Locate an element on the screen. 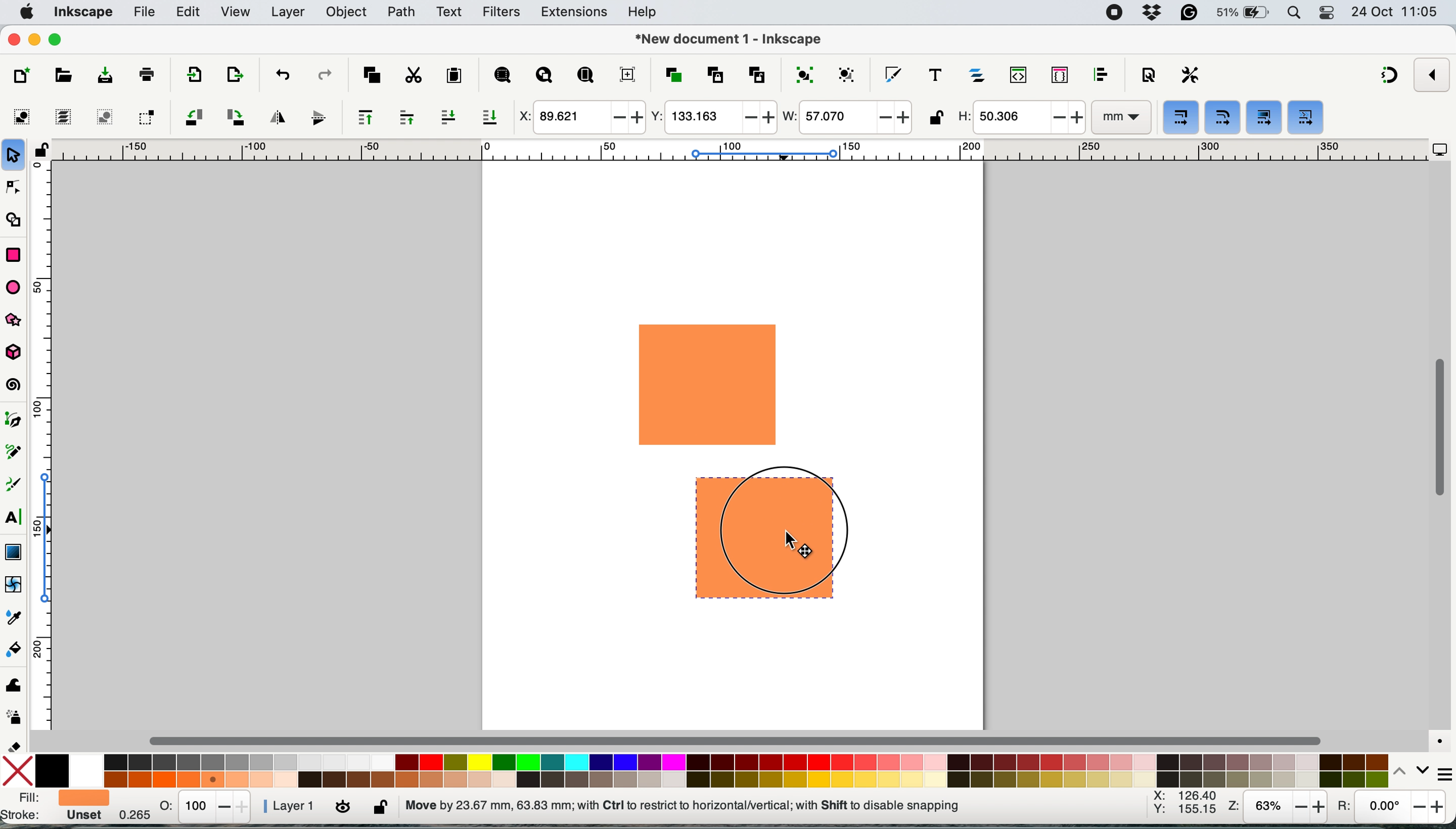 Image resolution: width=1456 pixels, height=829 pixels. lock unlock current layer is located at coordinates (383, 810).